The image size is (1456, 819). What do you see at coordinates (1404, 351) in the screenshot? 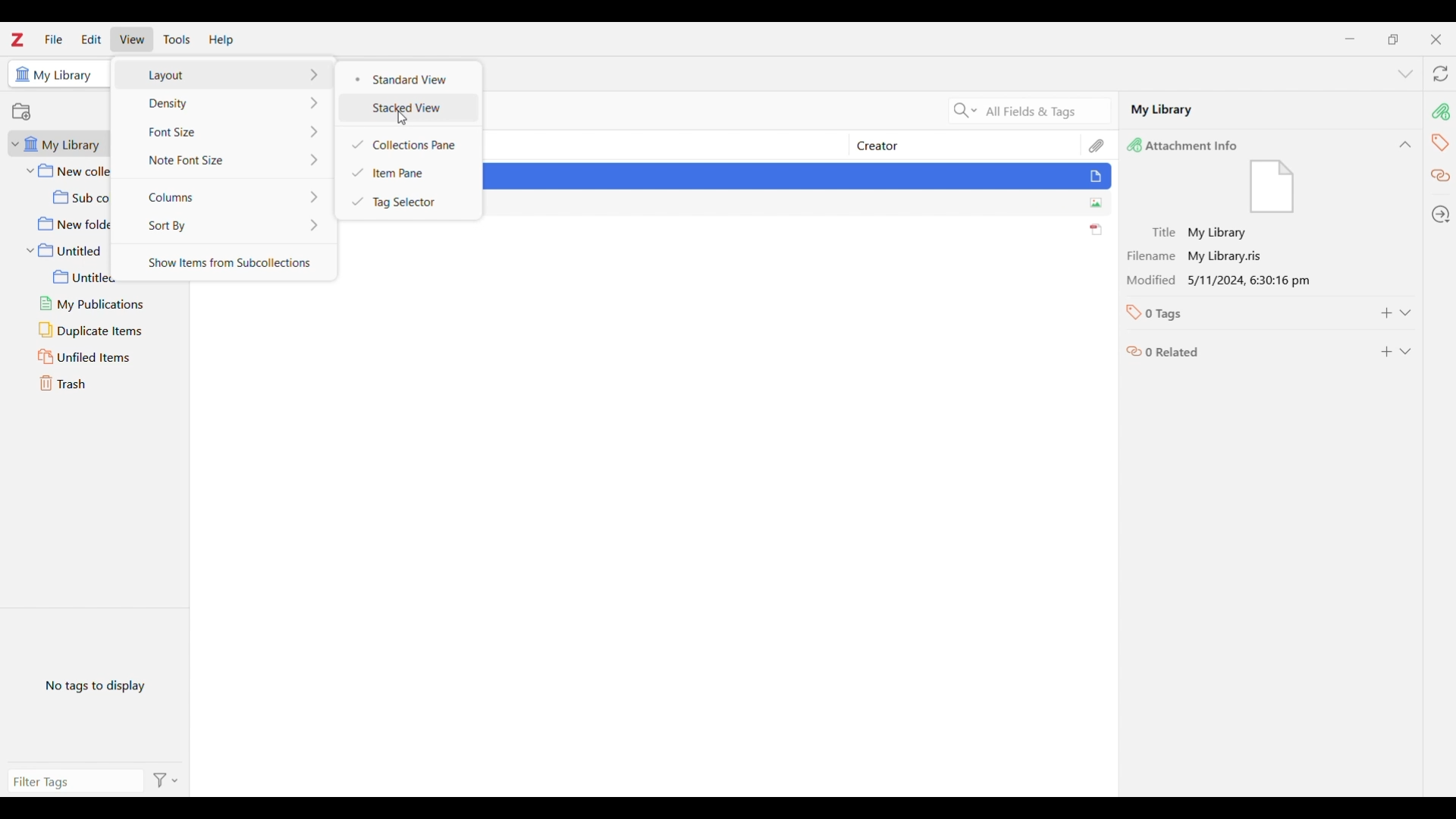
I see `Expand related` at bounding box center [1404, 351].